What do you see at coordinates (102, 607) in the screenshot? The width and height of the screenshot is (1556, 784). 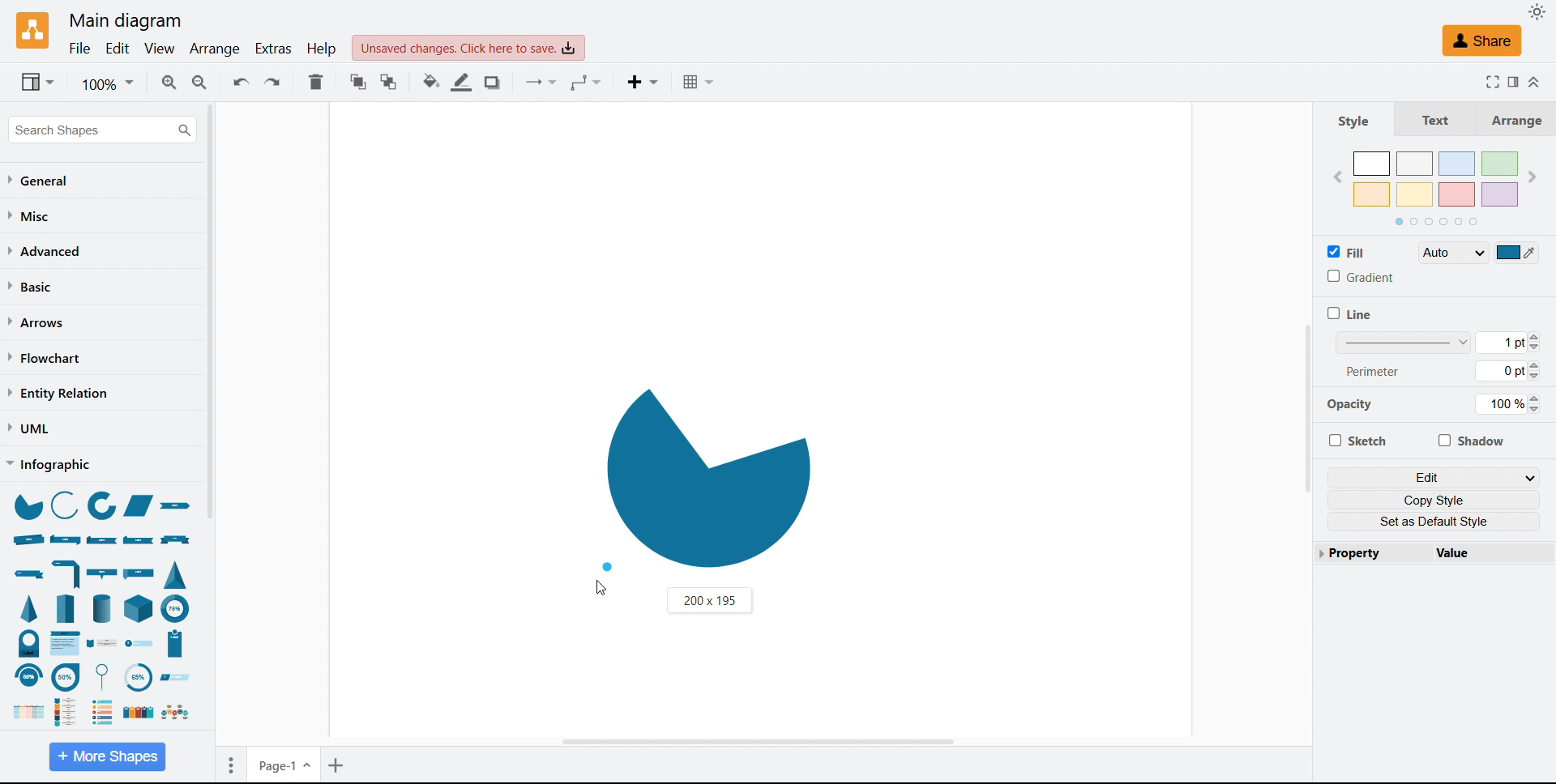 I see `cylinder` at bounding box center [102, 607].